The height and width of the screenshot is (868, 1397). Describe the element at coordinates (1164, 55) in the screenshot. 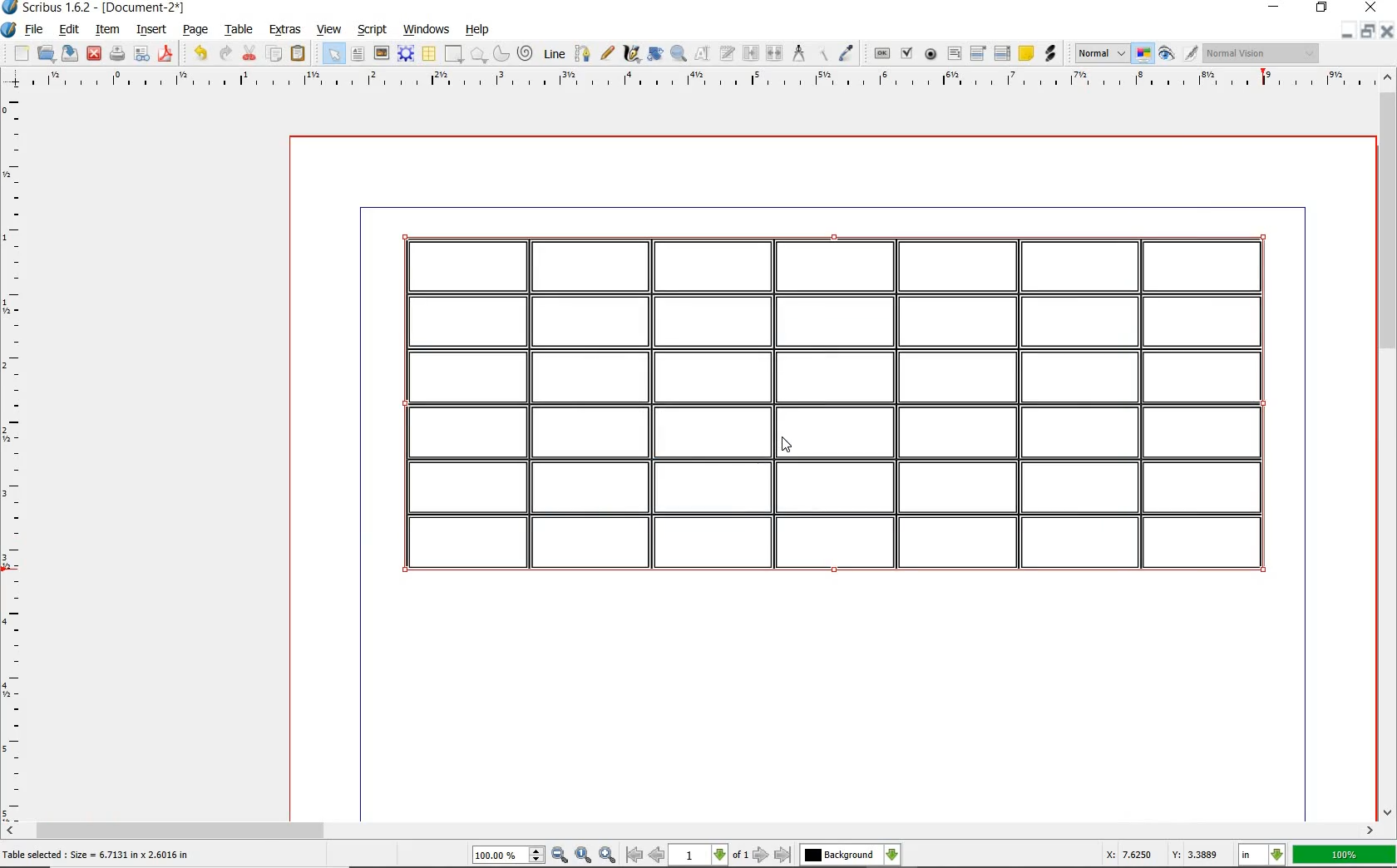

I see `preview mode` at that location.